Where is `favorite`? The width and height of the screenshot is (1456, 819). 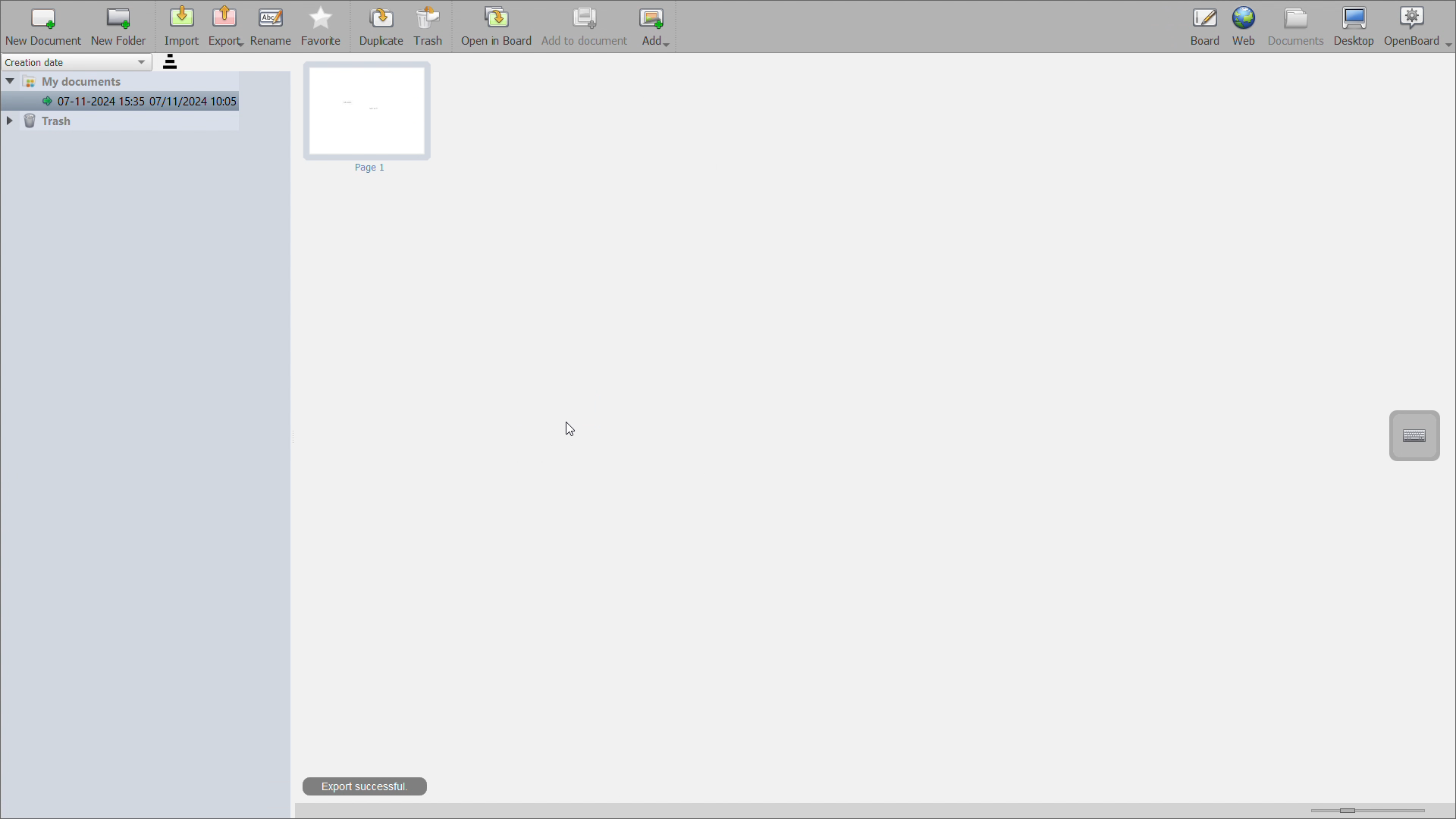 favorite is located at coordinates (322, 27).